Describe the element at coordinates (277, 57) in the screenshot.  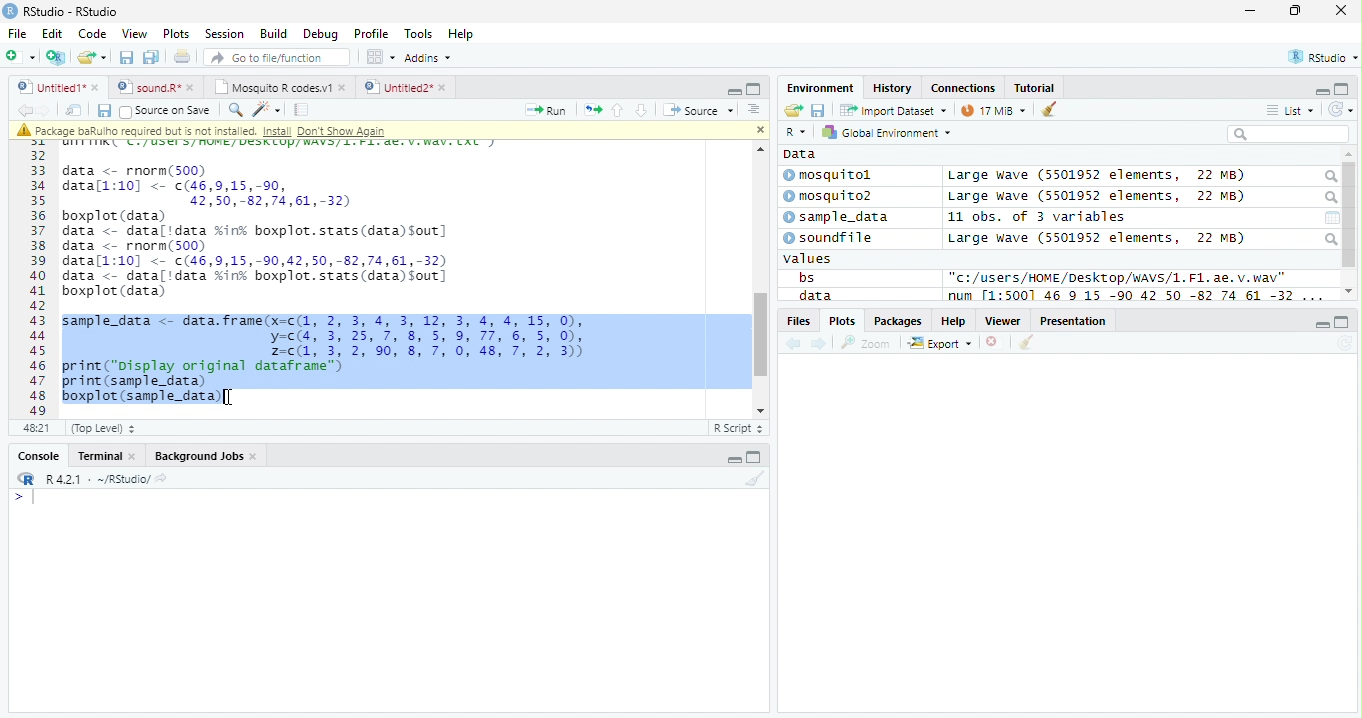
I see `Go to fie/function` at that location.